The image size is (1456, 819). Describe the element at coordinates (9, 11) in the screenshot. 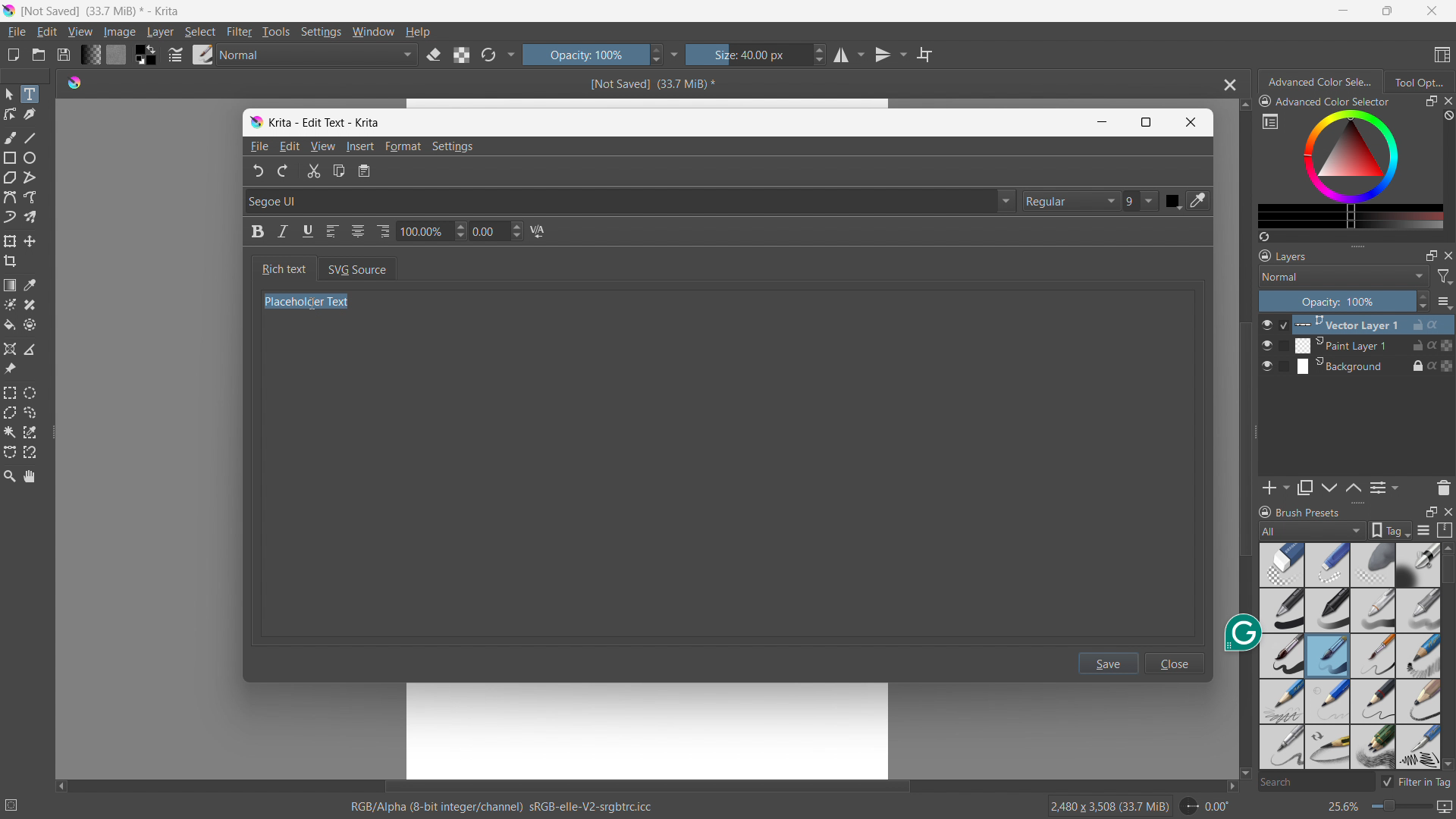

I see `logo` at that location.